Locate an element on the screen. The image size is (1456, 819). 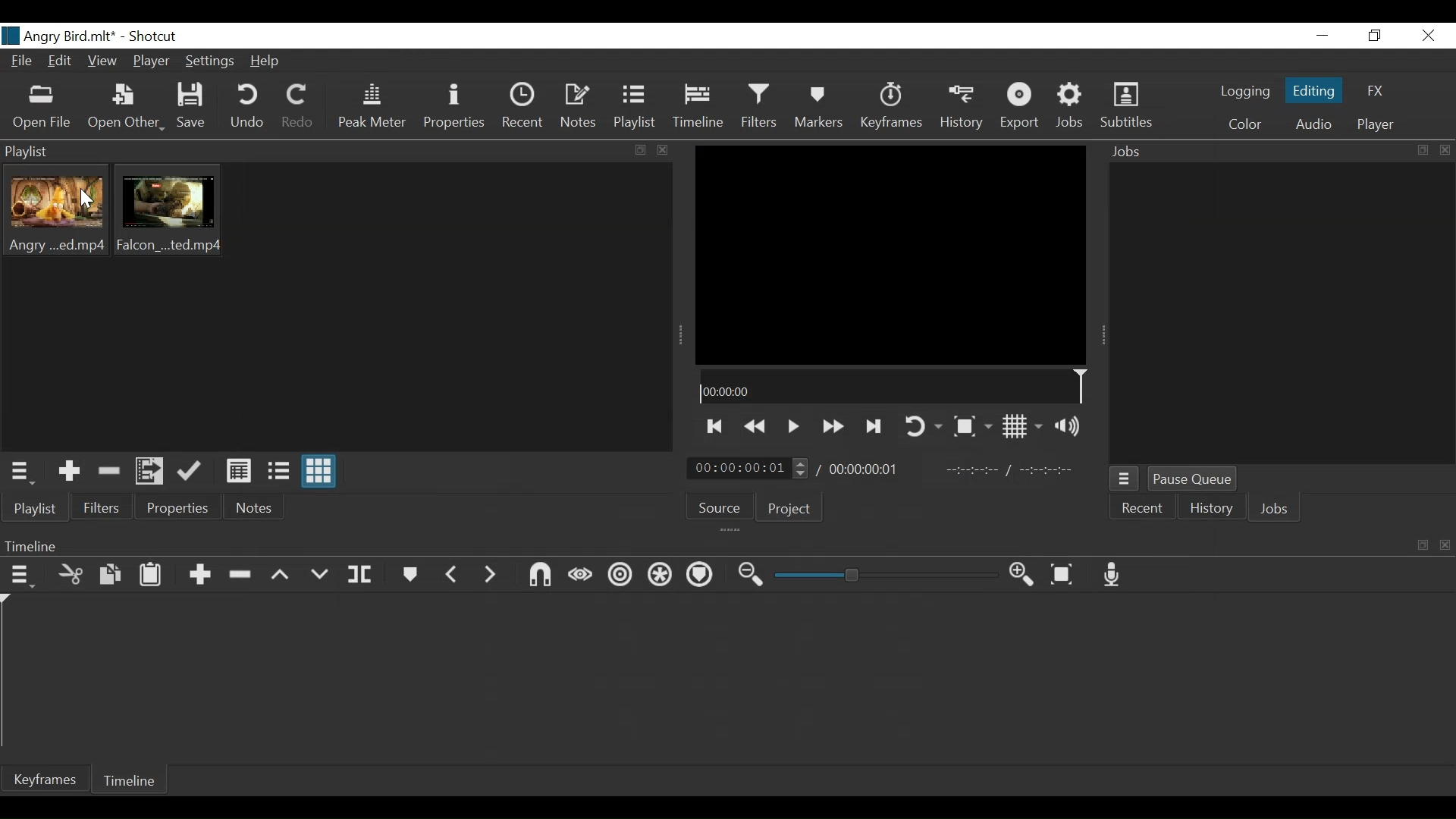
Zoom timeline in is located at coordinates (1025, 574).